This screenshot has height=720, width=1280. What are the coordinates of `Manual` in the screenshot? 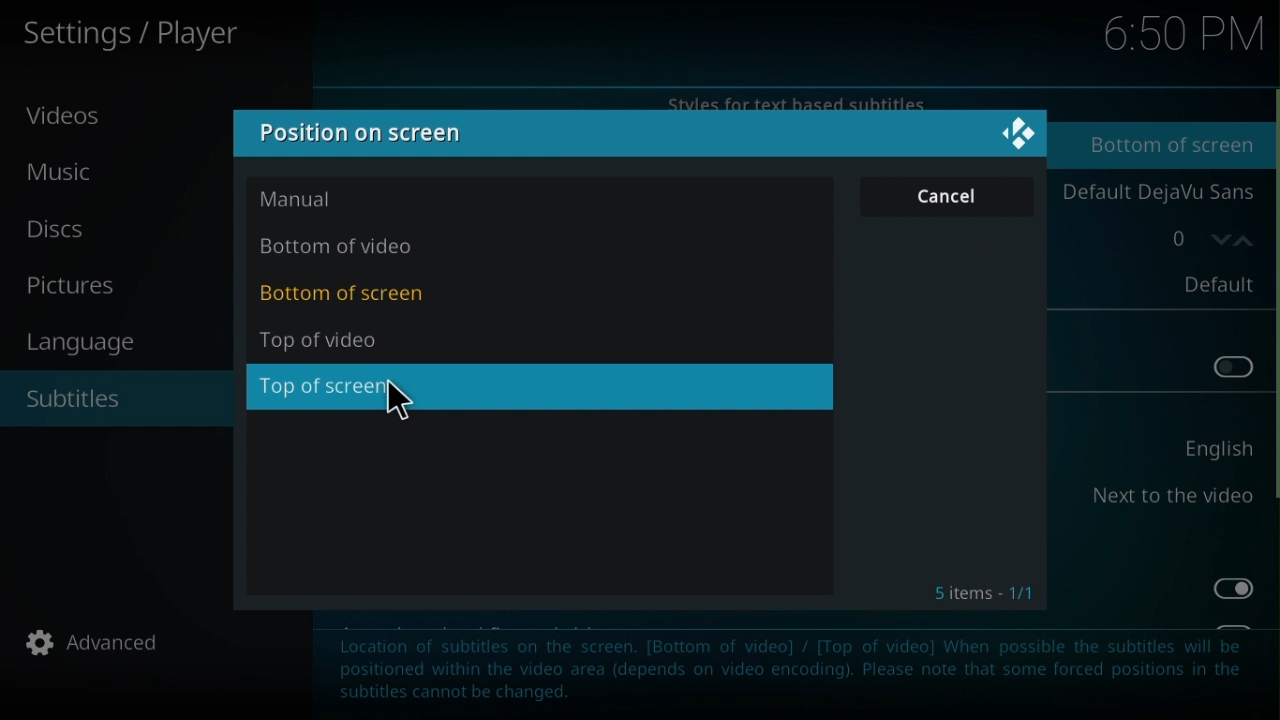 It's located at (318, 198).